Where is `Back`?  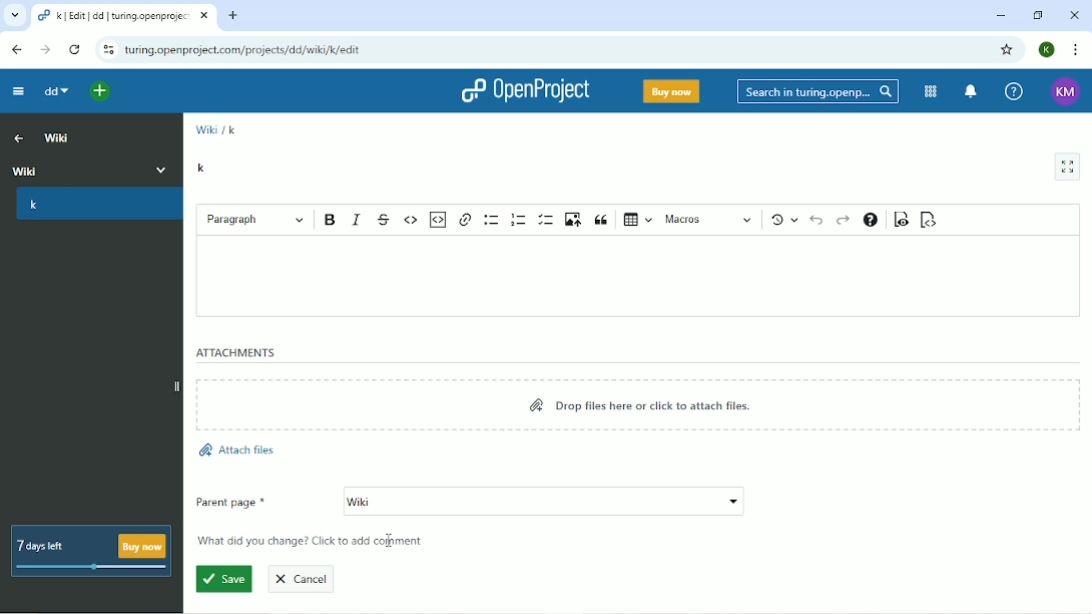 Back is located at coordinates (15, 48).